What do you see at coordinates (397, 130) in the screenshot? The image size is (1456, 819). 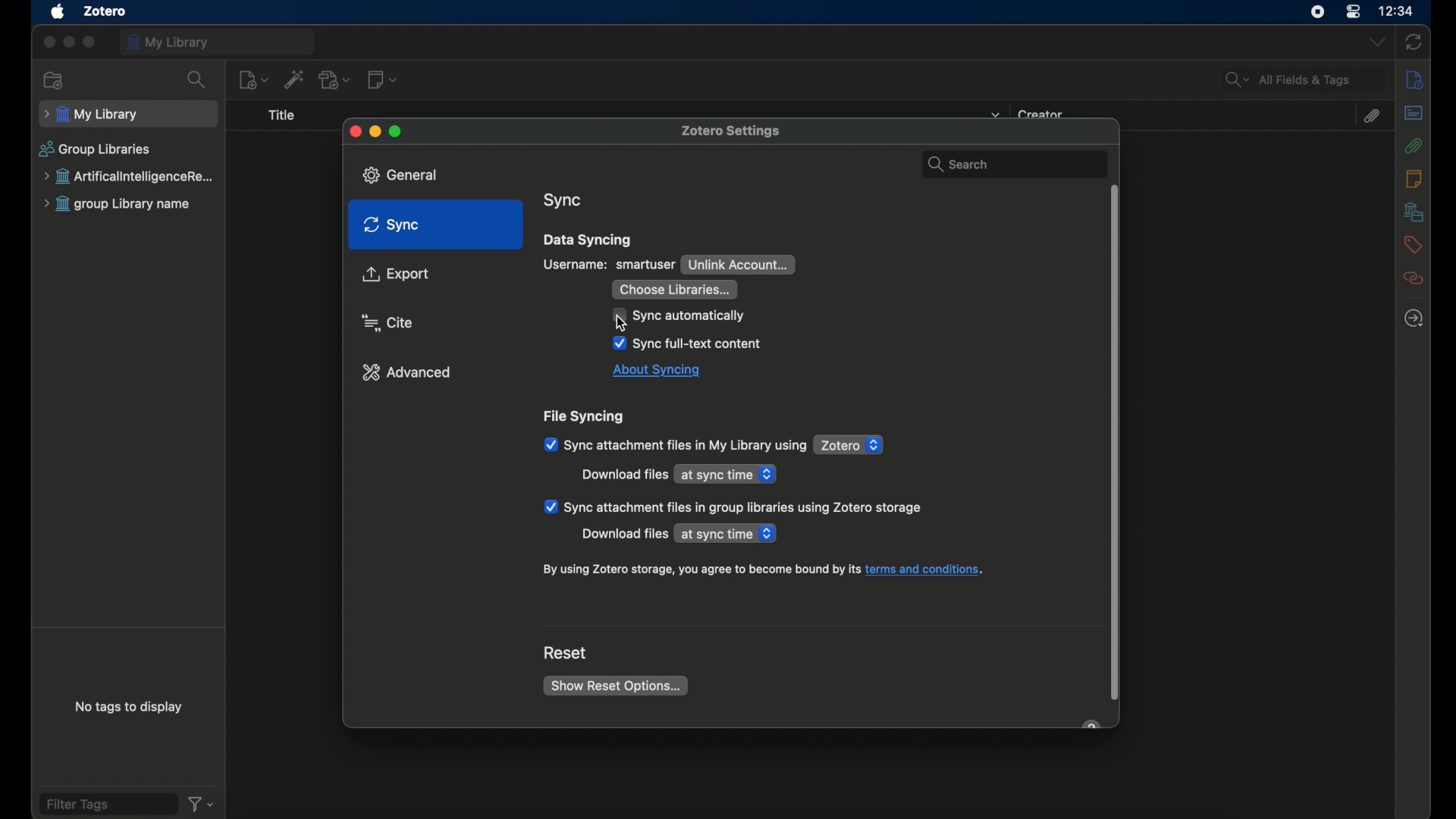 I see `maximize` at bounding box center [397, 130].